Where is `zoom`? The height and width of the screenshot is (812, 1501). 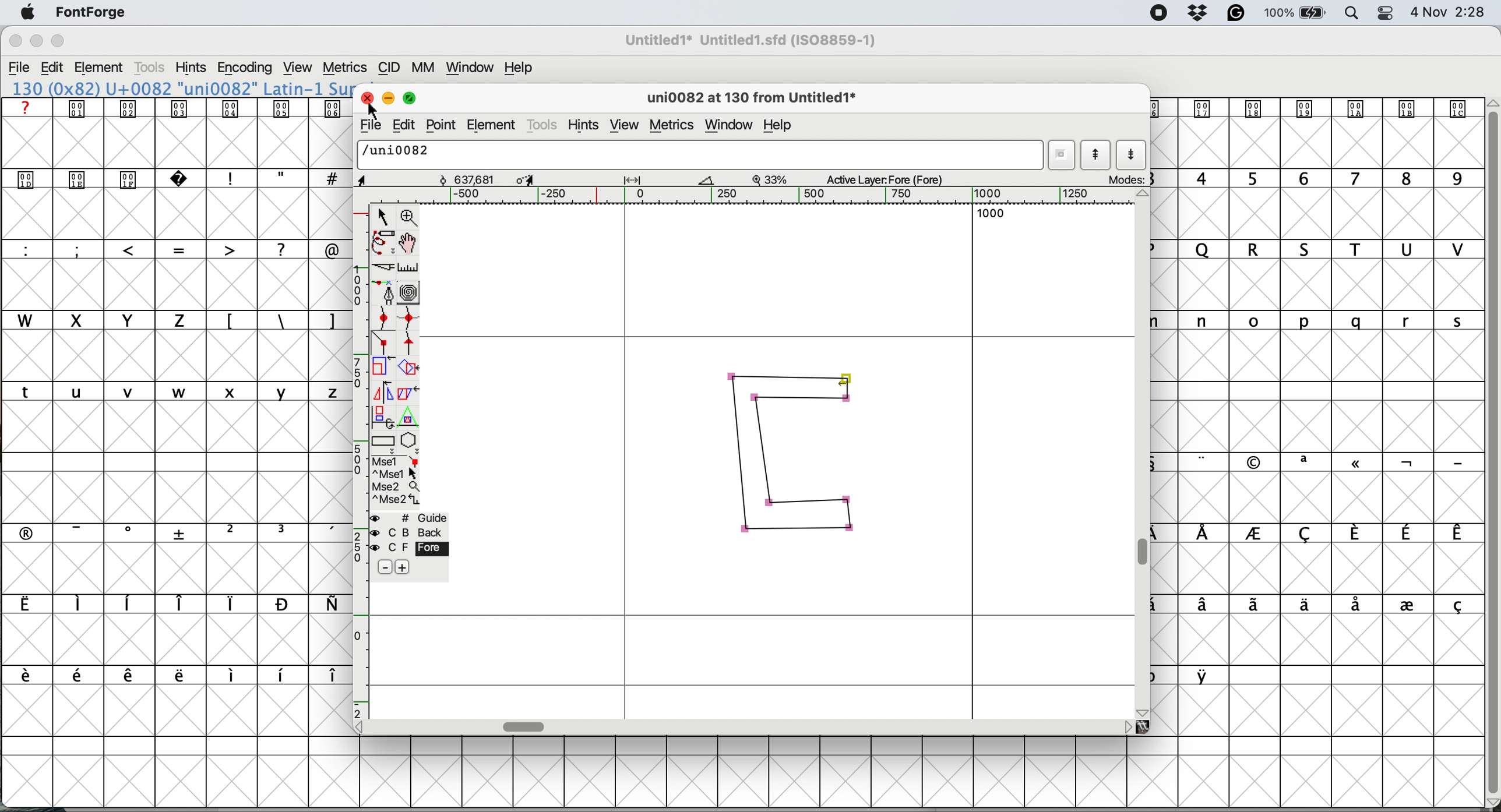
zoom is located at coordinates (410, 216).